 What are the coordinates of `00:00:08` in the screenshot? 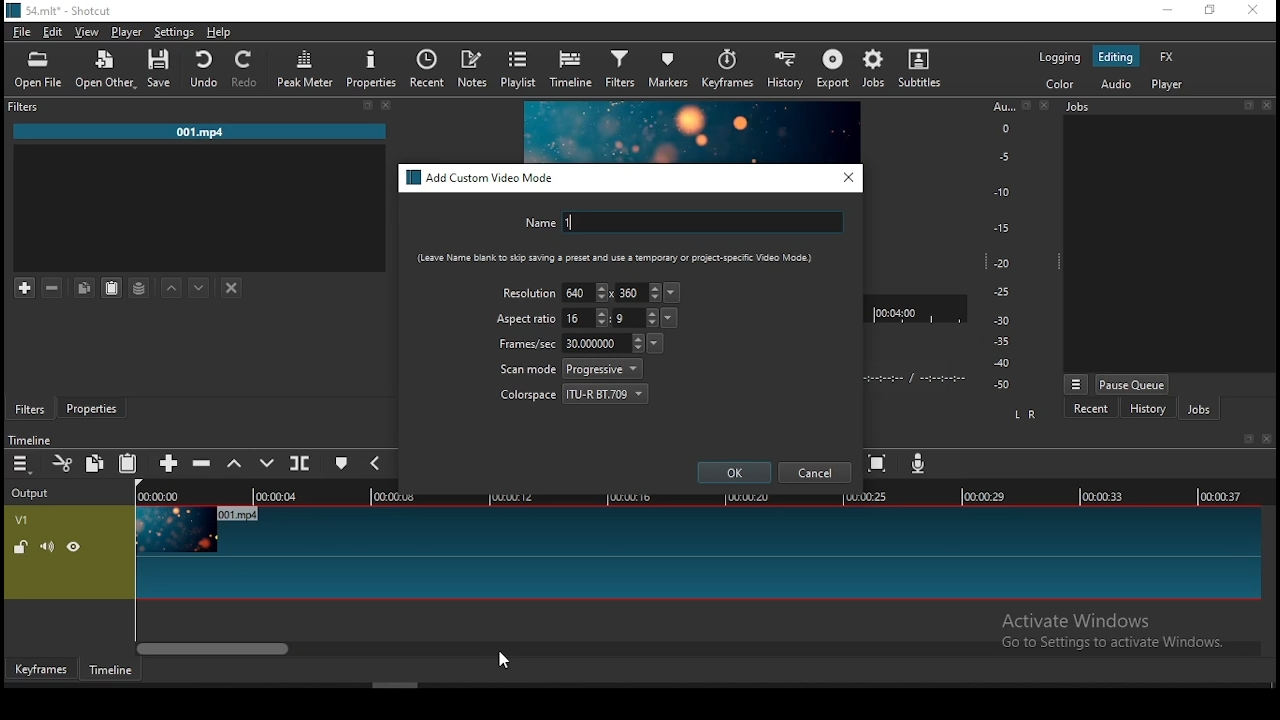 It's located at (402, 497).